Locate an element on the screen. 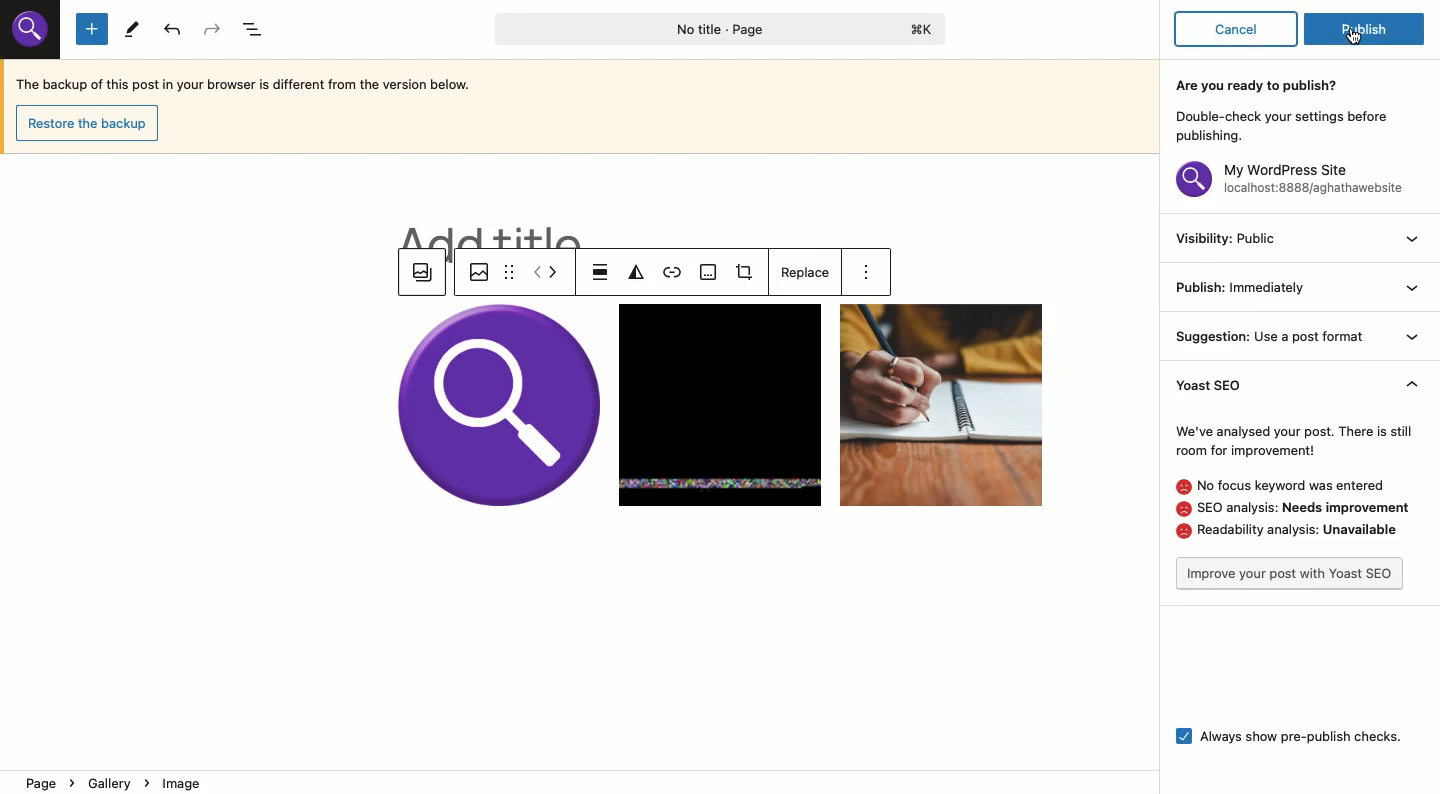  Duo filter is located at coordinates (636, 274).